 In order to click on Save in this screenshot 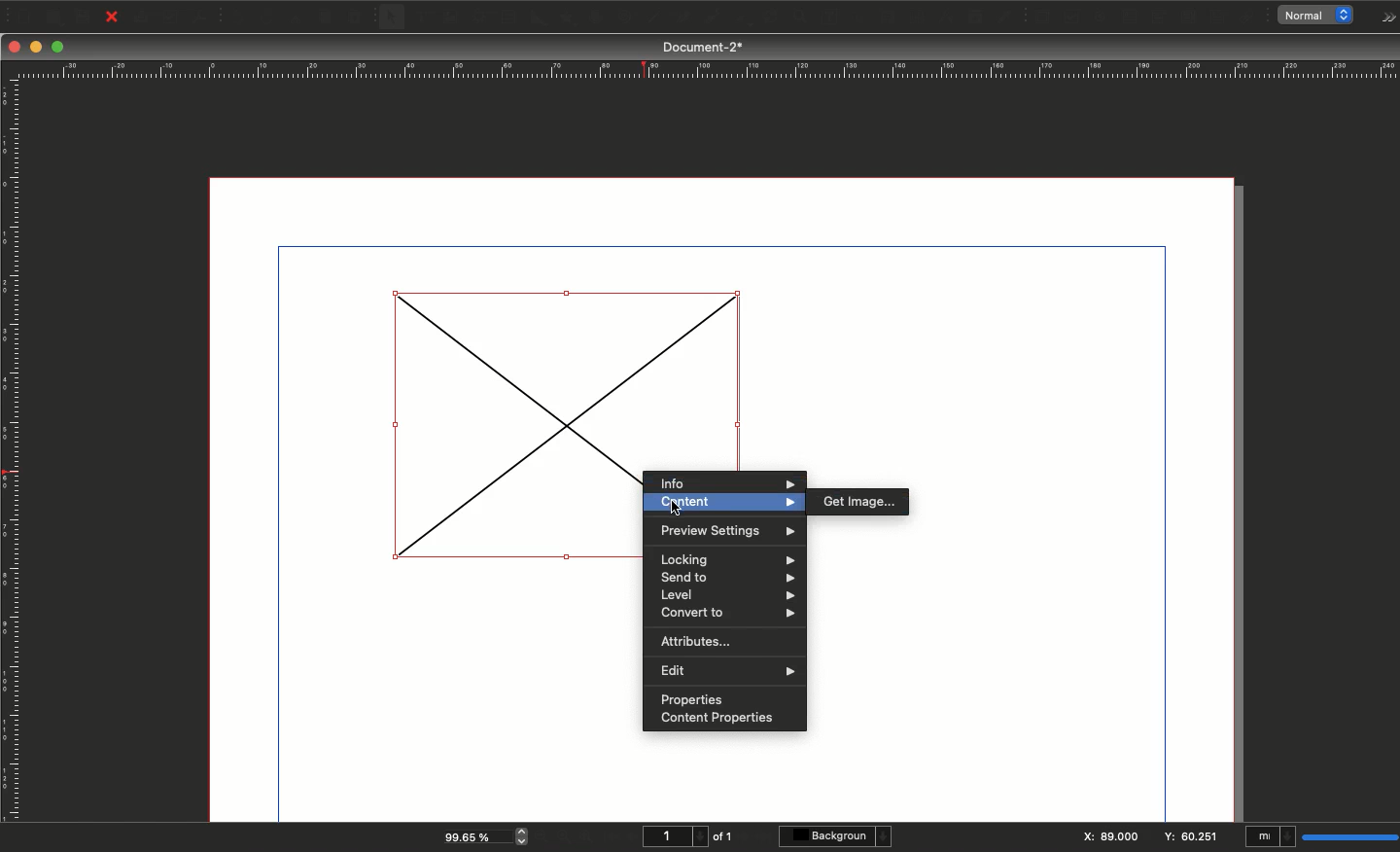, I will do `click(87, 16)`.